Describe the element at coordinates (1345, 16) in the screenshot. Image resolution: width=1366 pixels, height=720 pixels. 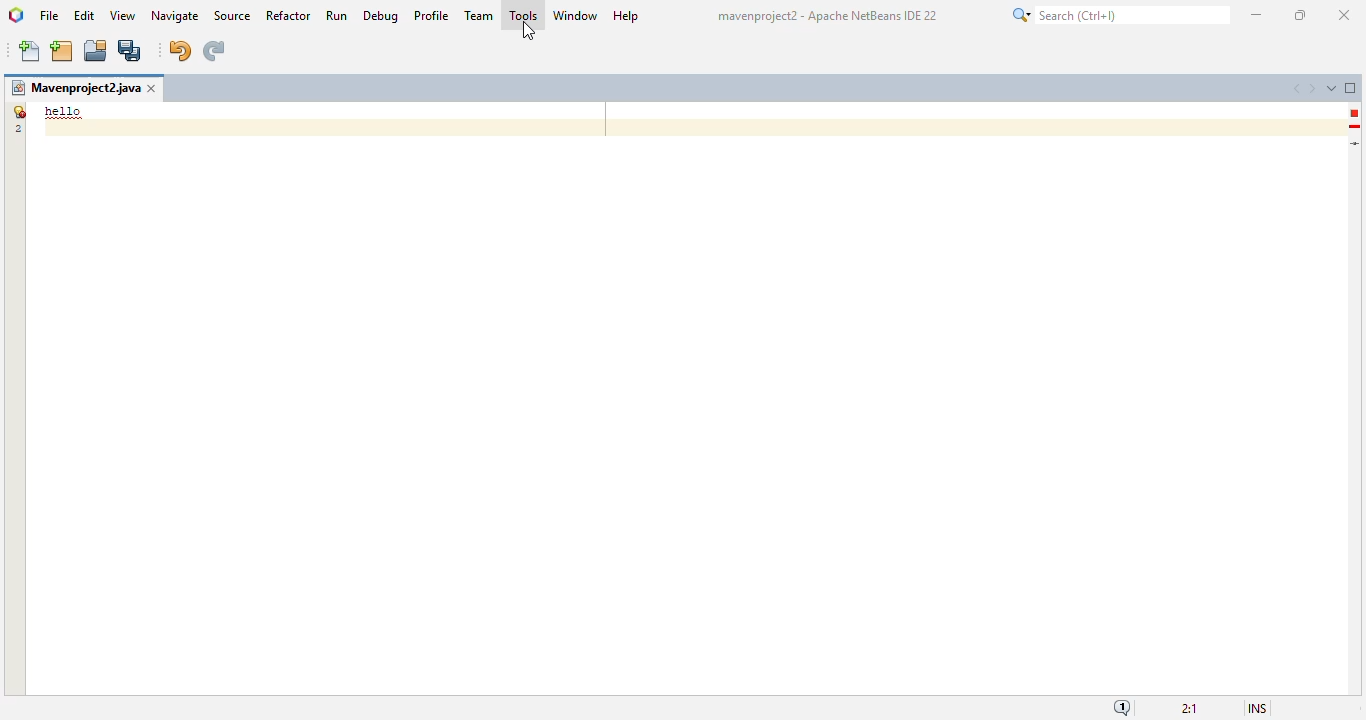
I see `close` at that location.